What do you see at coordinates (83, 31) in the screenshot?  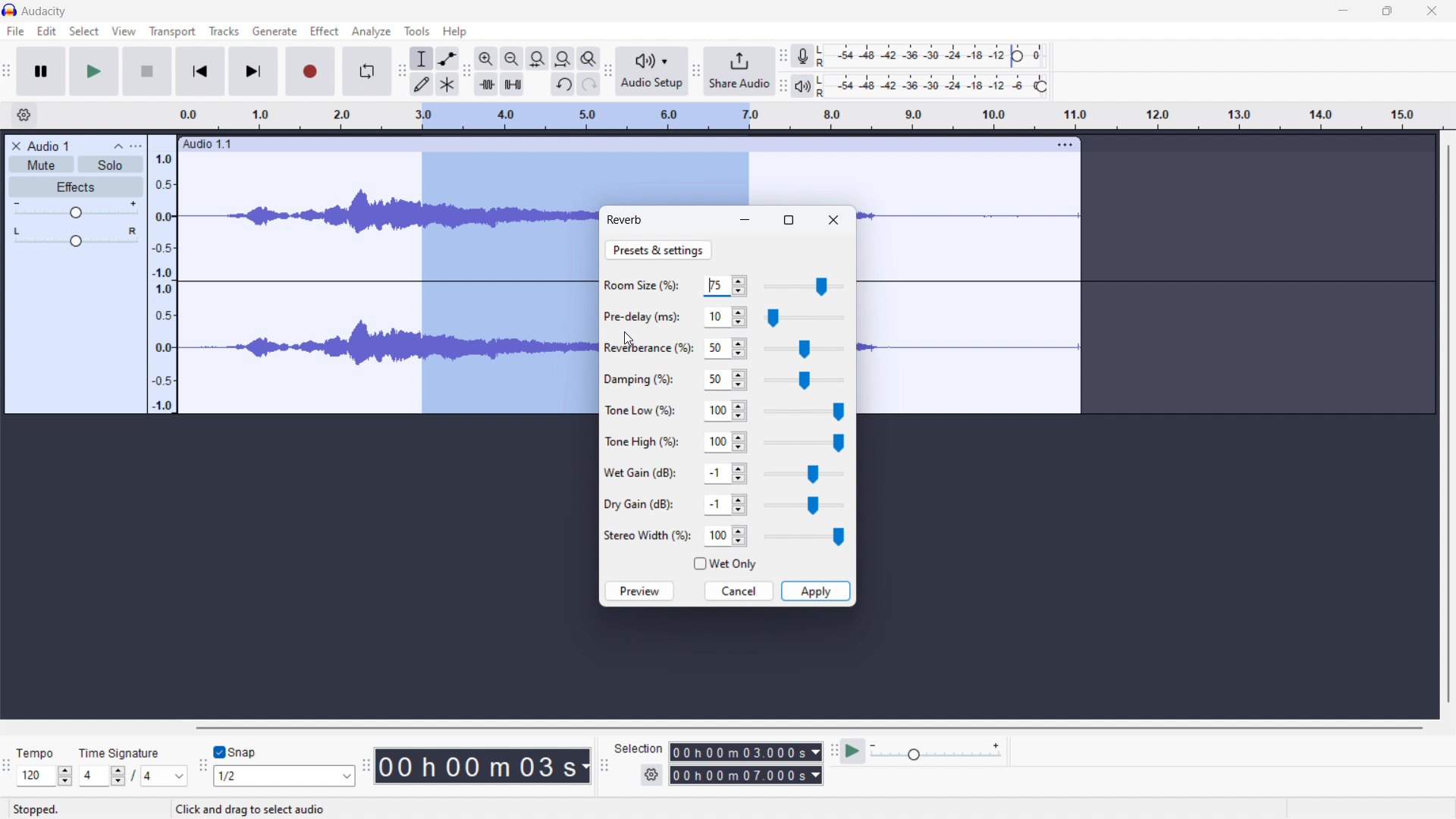 I see `select` at bounding box center [83, 31].